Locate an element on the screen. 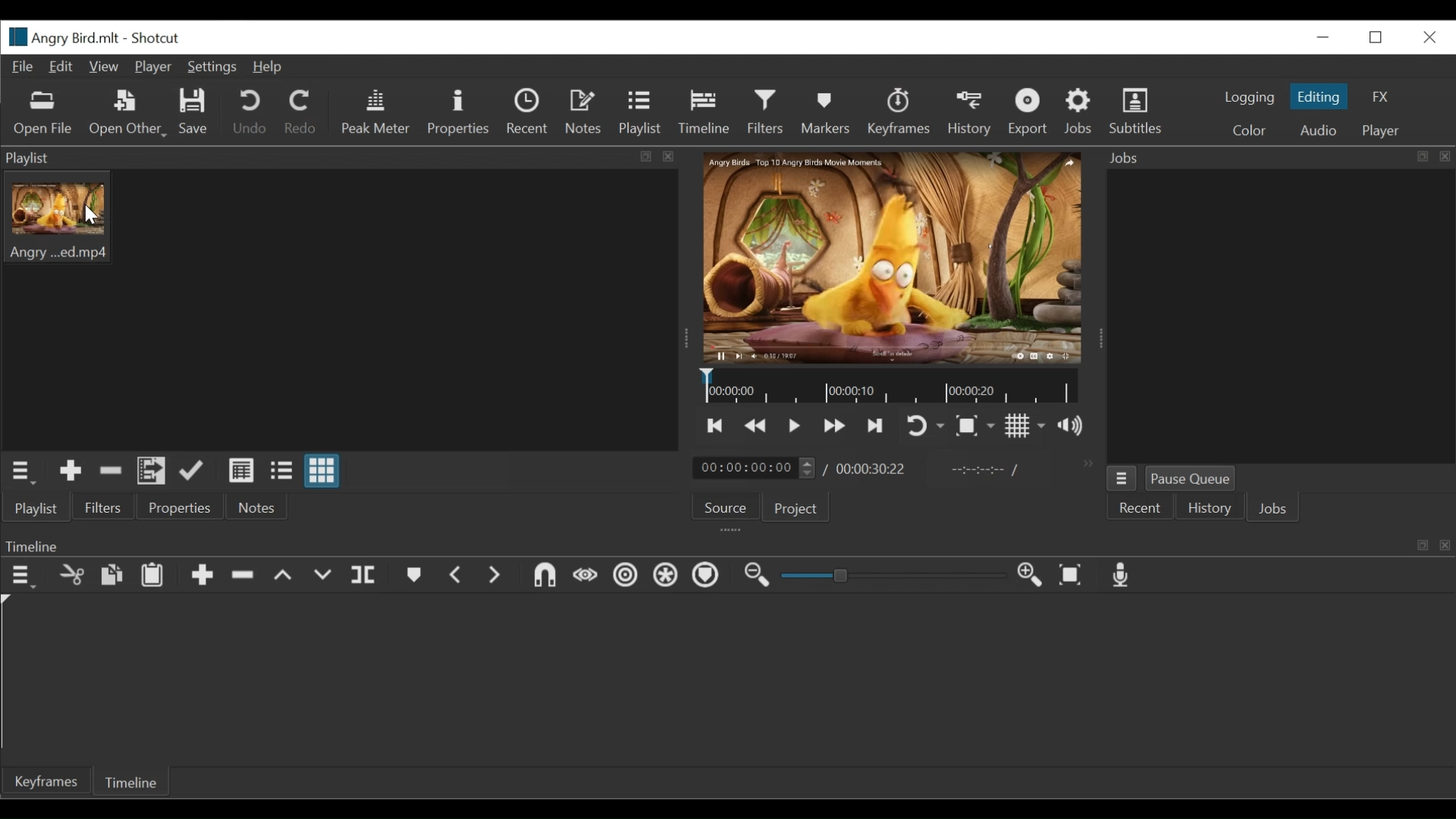 Image resolution: width=1456 pixels, height=819 pixels. Audio is located at coordinates (1318, 131).